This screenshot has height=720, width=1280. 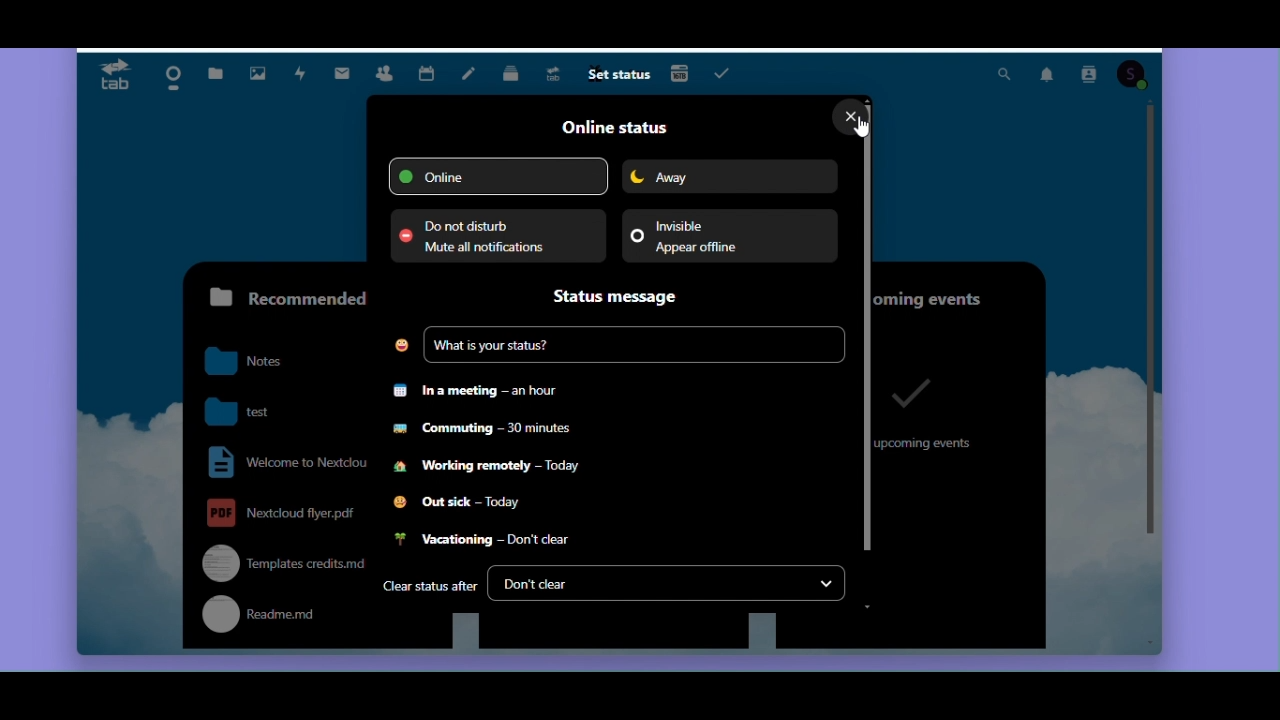 I want to click on Contact search, so click(x=1088, y=76).